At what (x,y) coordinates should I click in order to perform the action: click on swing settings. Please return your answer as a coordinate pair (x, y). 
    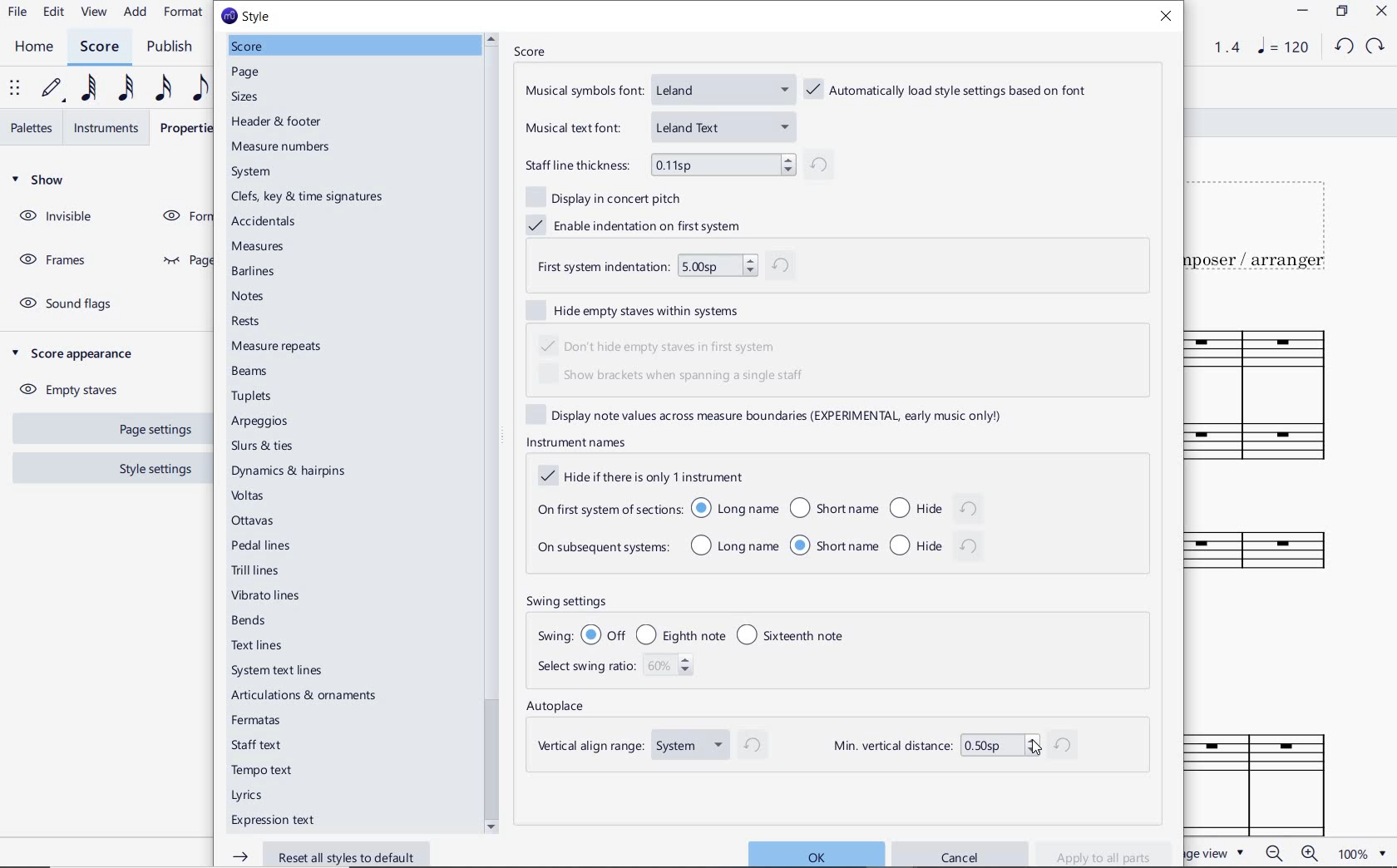
    Looking at the image, I should click on (710, 602).